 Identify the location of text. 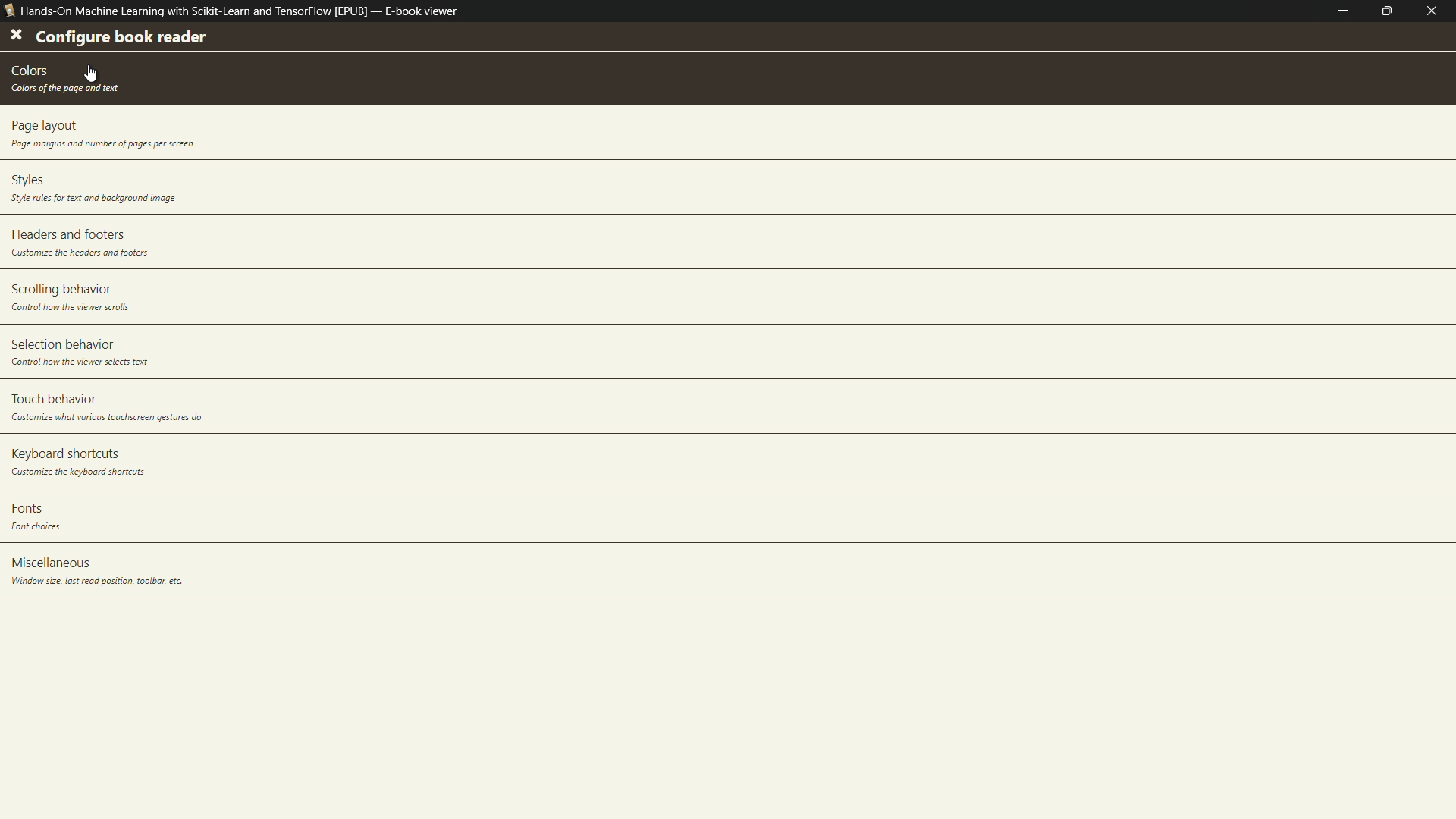
(63, 88).